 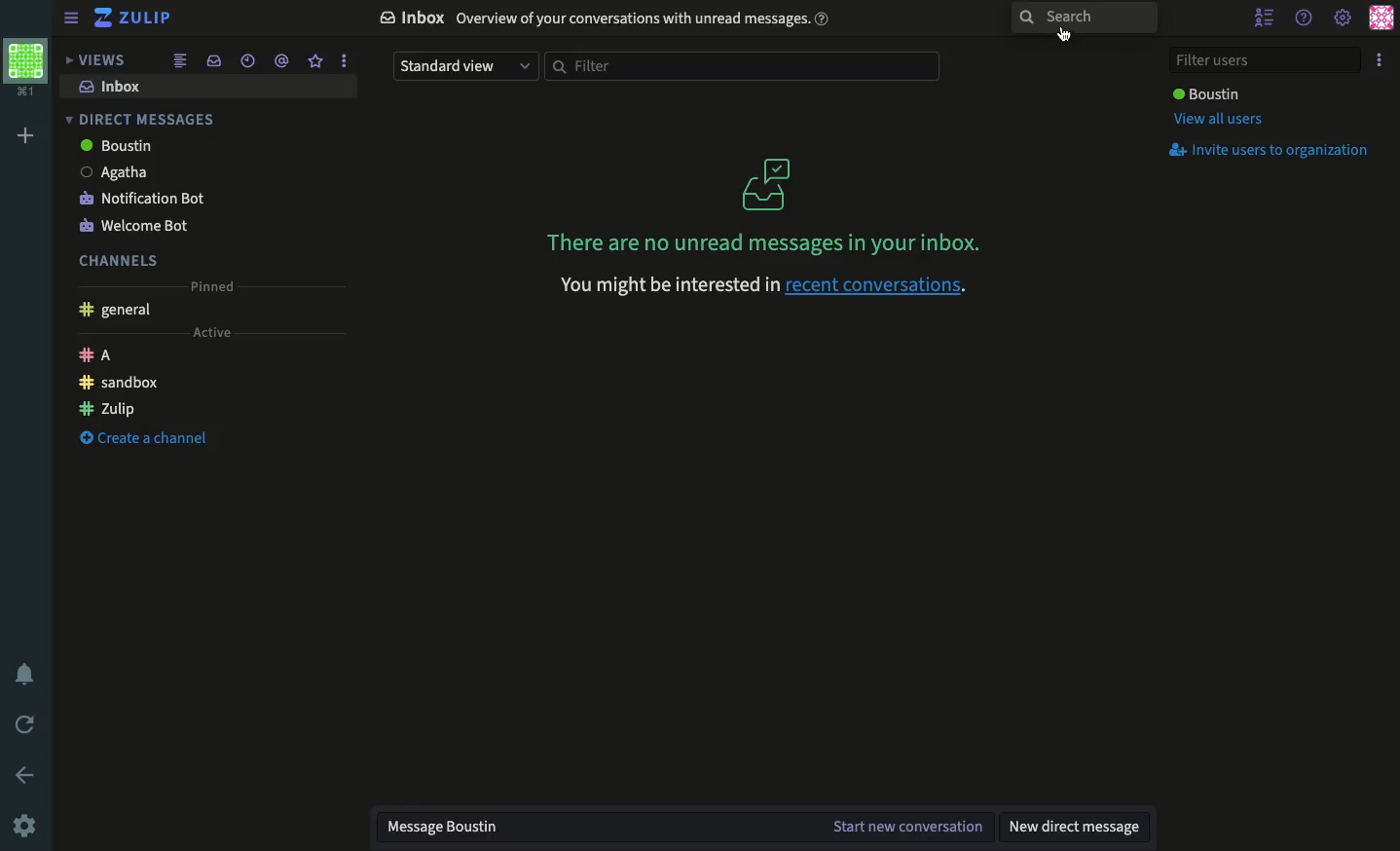 What do you see at coordinates (120, 383) in the screenshot?
I see `Sandbox` at bounding box center [120, 383].